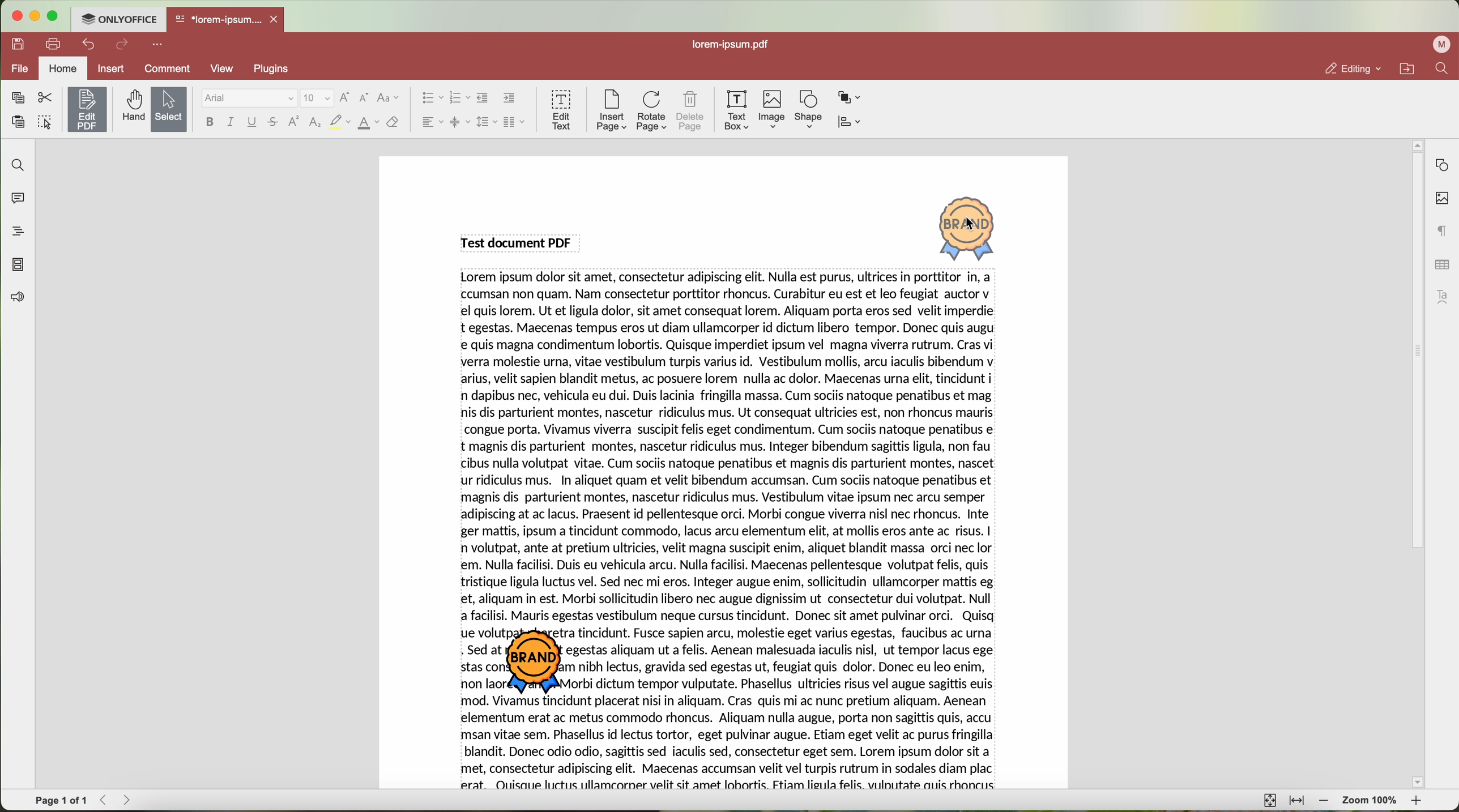  Describe the element at coordinates (773, 110) in the screenshot. I see `Image` at that location.